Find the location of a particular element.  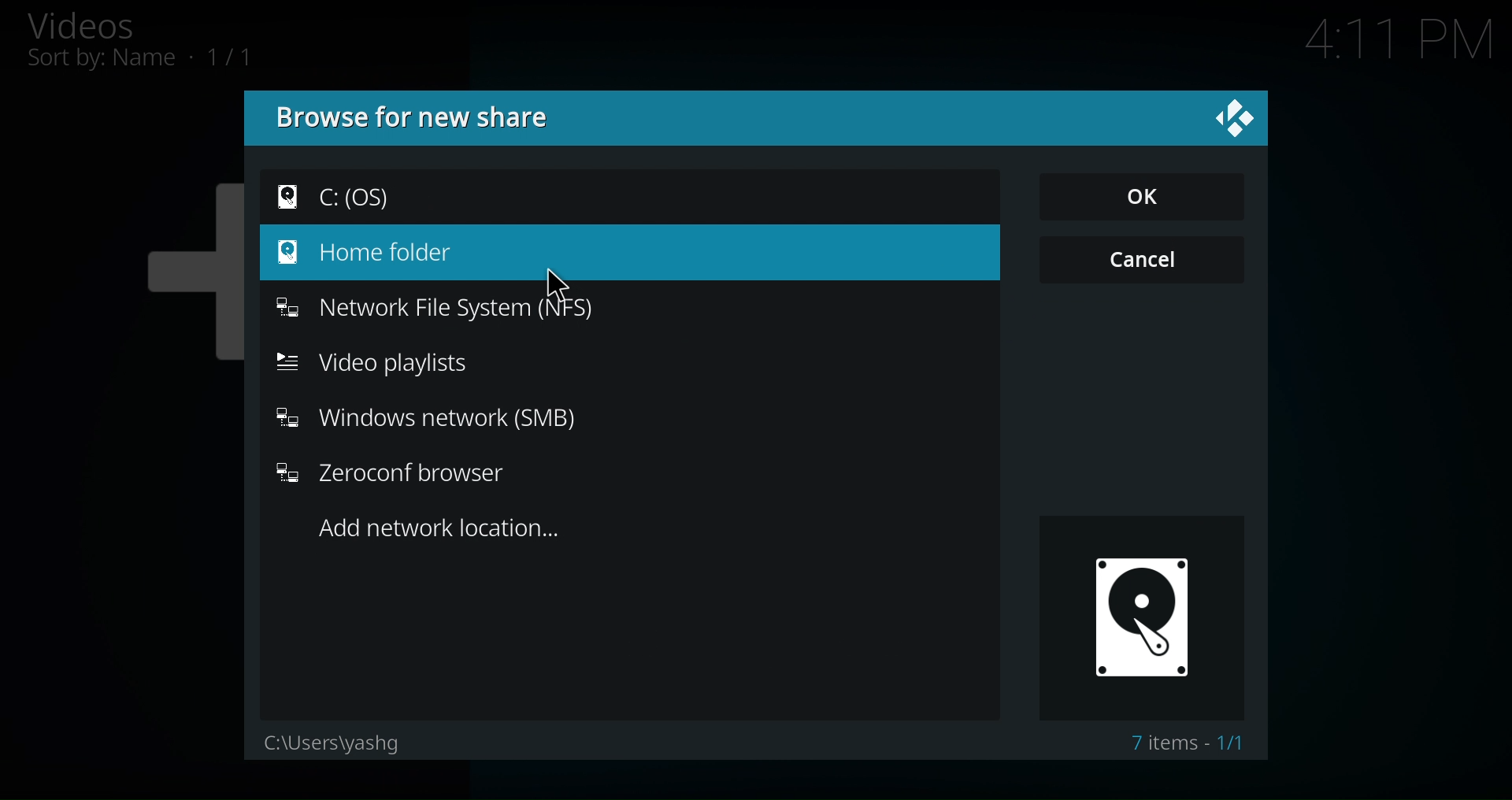

Network file system  is located at coordinates (440, 305).